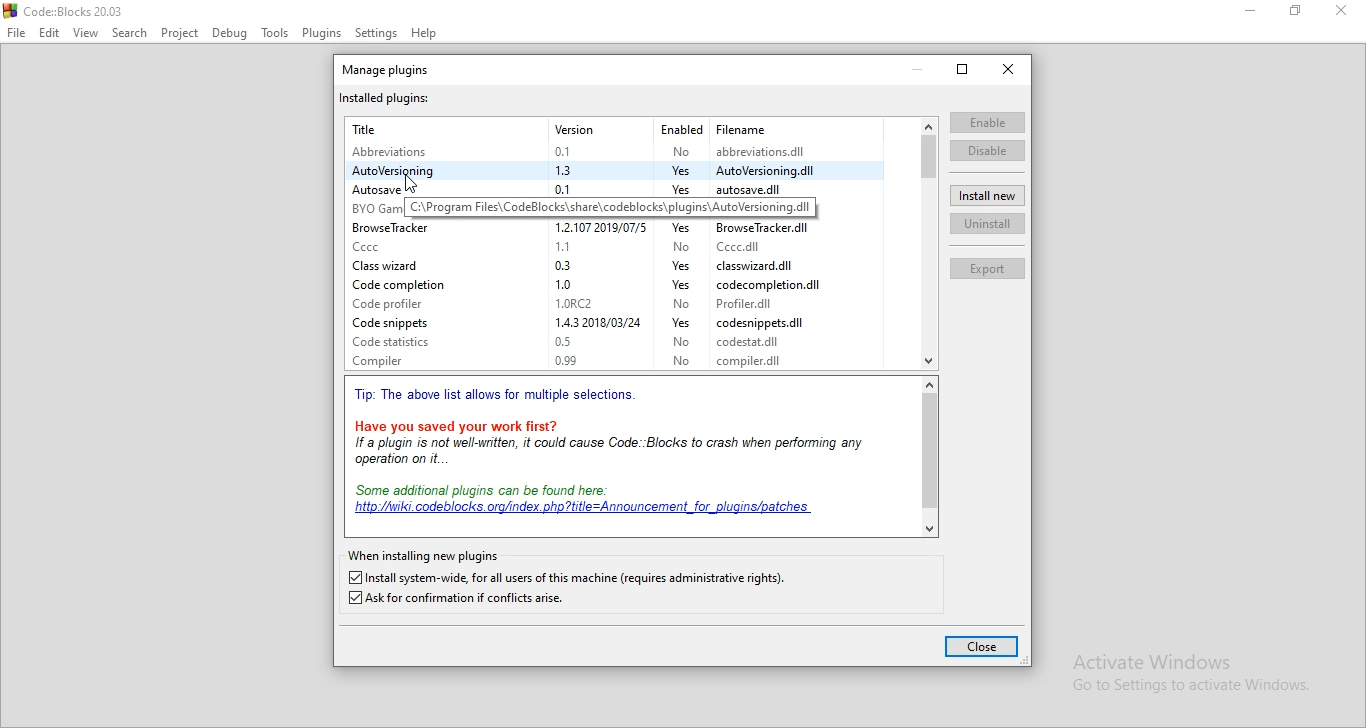 This screenshot has width=1366, height=728. Describe the element at coordinates (751, 363) in the screenshot. I see `‘compiler.dil` at that location.